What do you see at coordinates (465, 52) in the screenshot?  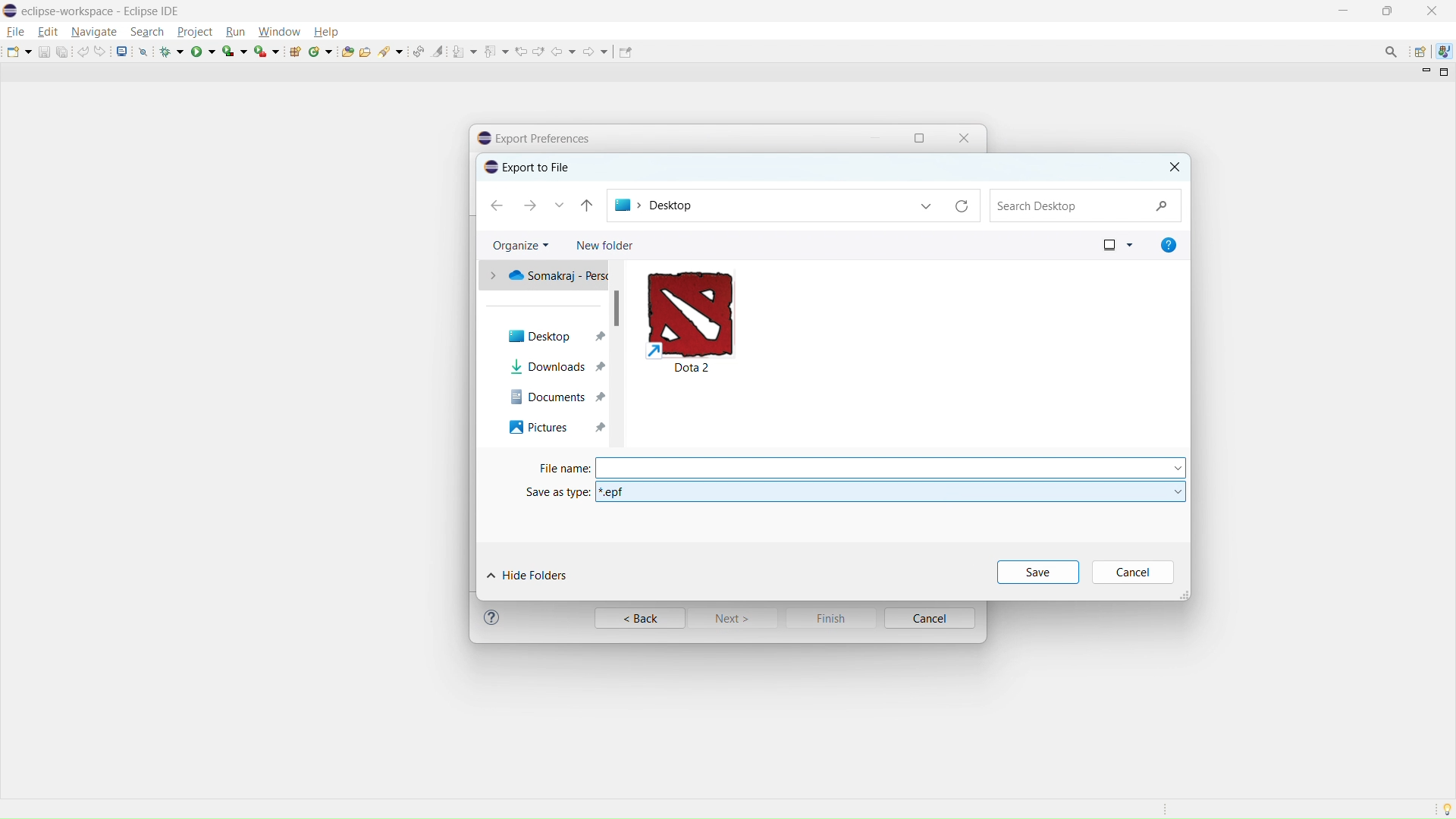 I see `next annotation` at bounding box center [465, 52].